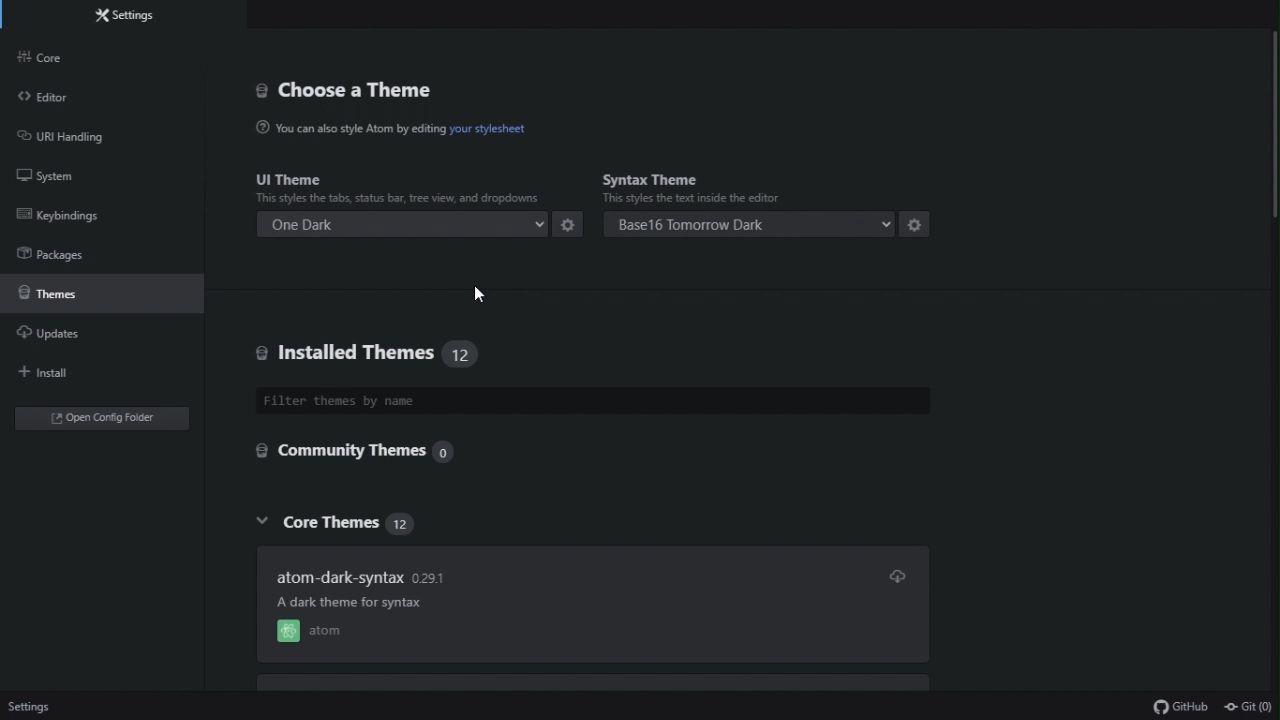 The height and width of the screenshot is (720, 1280). What do you see at coordinates (594, 402) in the screenshot?
I see `filter themes by name` at bounding box center [594, 402].